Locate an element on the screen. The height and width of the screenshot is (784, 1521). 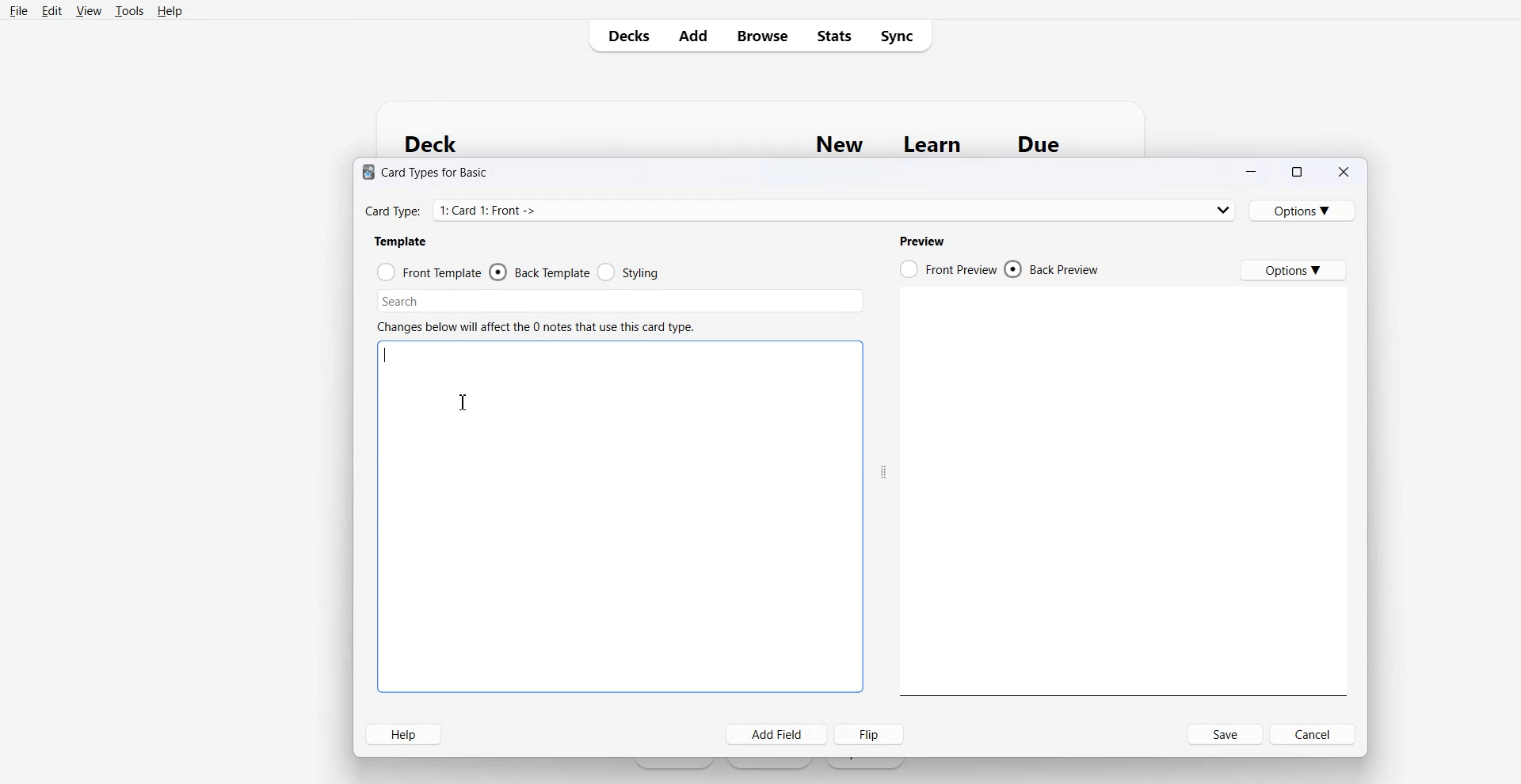
Save is located at coordinates (1226, 734).